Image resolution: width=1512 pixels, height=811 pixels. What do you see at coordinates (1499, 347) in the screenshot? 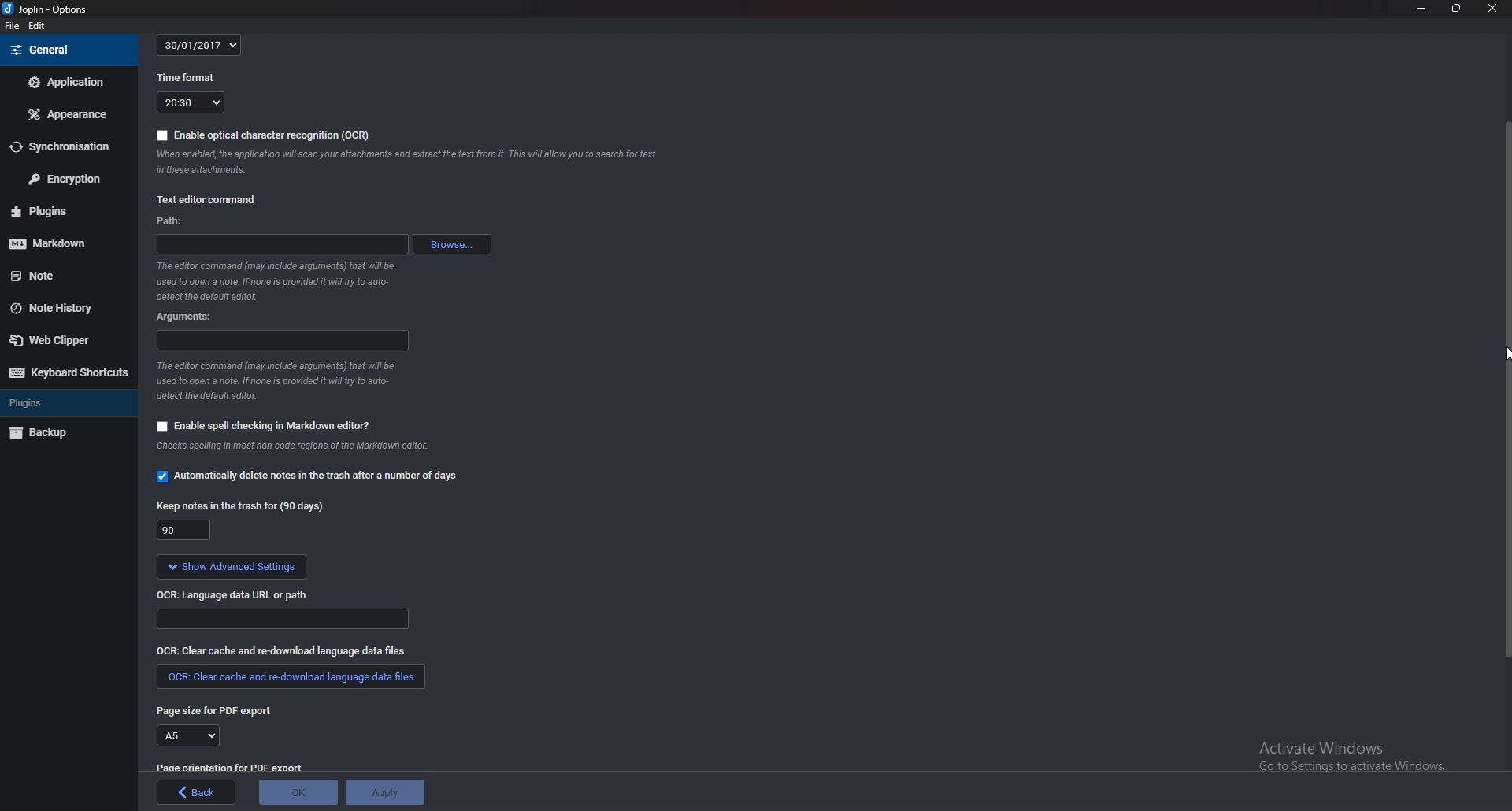
I see `cursor` at bounding box center [1499, 347].